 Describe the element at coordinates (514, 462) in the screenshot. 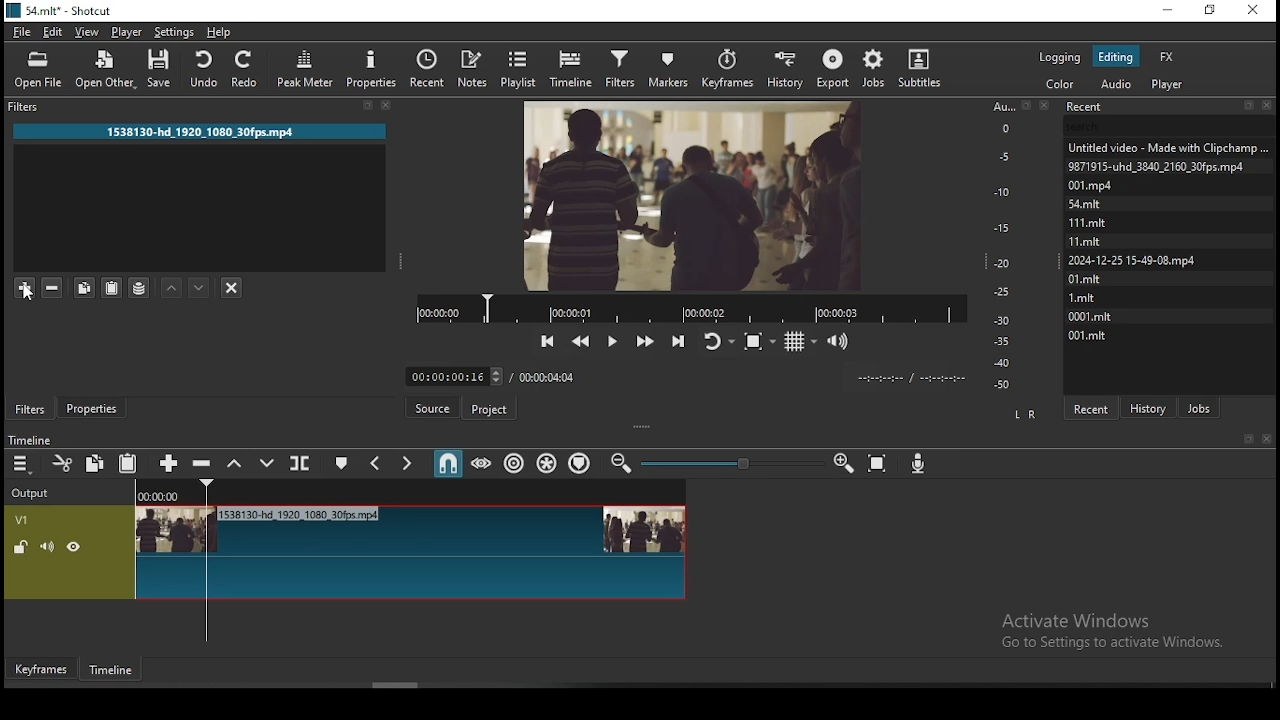

I see `ripple` at that location.